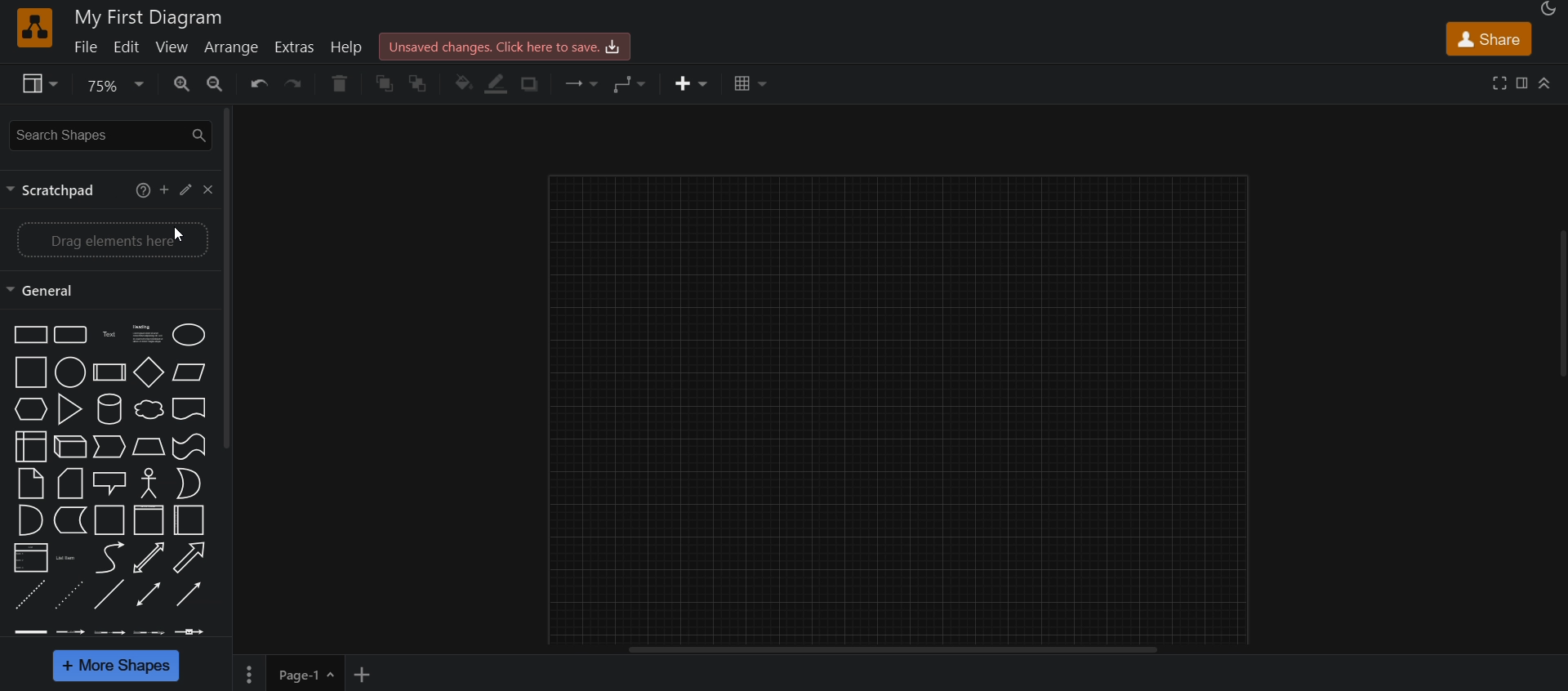 The height and width of the screenshot is (691, 1568). I want to click on view, so click(174, 49).